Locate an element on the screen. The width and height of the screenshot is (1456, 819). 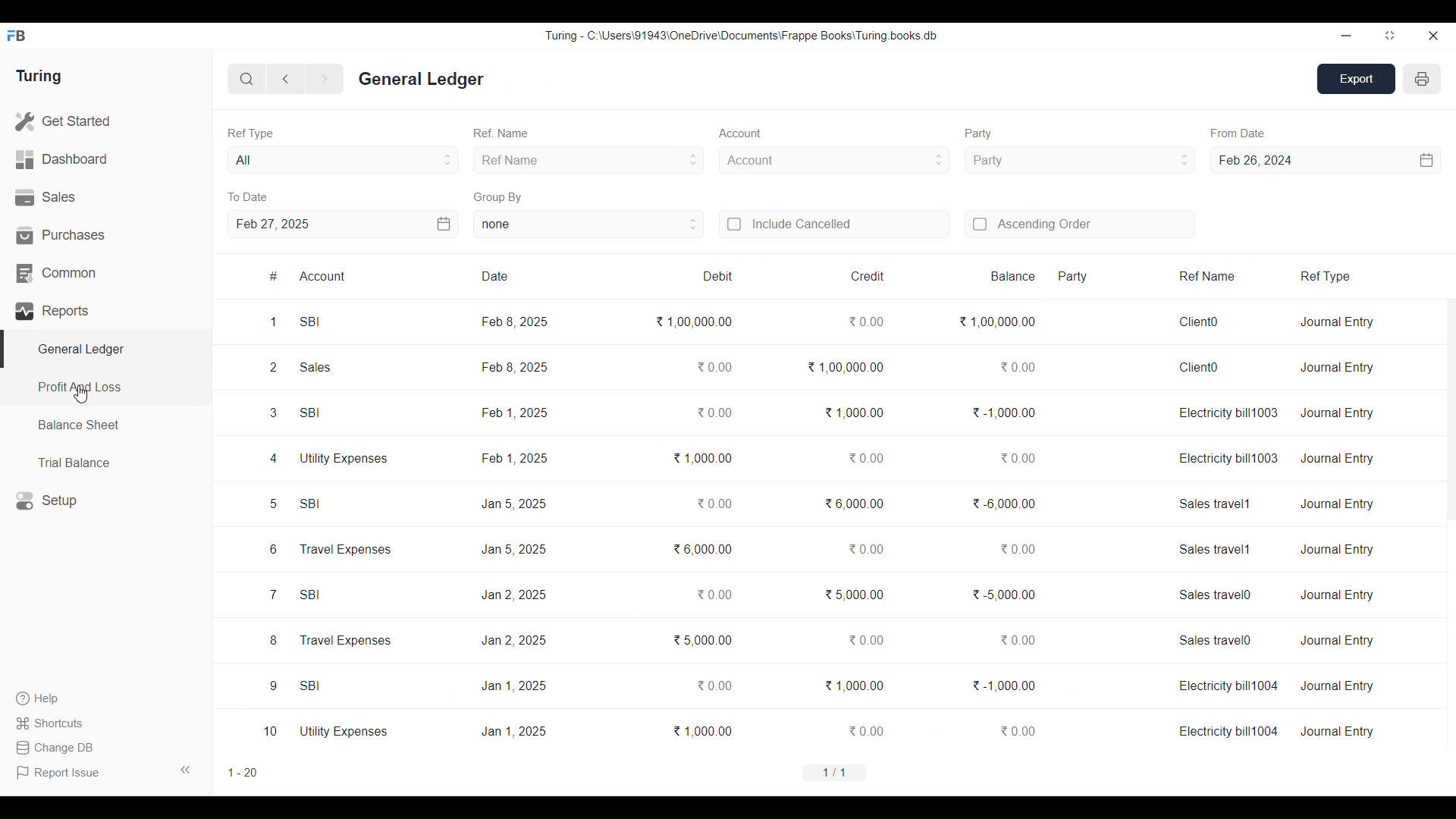
Jan 1, 2025 is located at coordinates (514, 686).